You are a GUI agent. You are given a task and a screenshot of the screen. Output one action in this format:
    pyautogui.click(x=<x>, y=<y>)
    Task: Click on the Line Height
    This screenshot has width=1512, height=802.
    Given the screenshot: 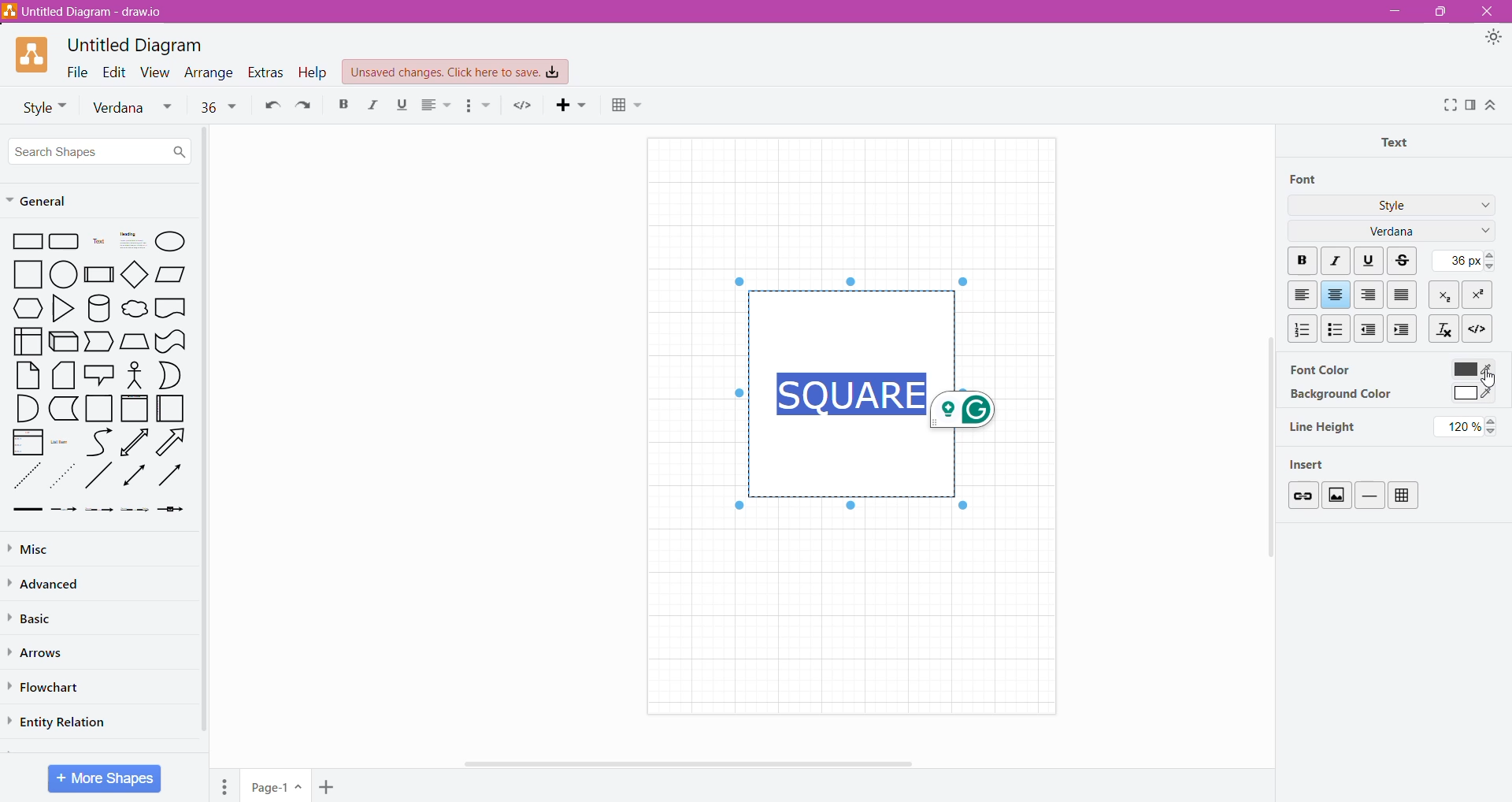 What is the action you would take?
    pyautogui.click(x=1324, y=427)
    